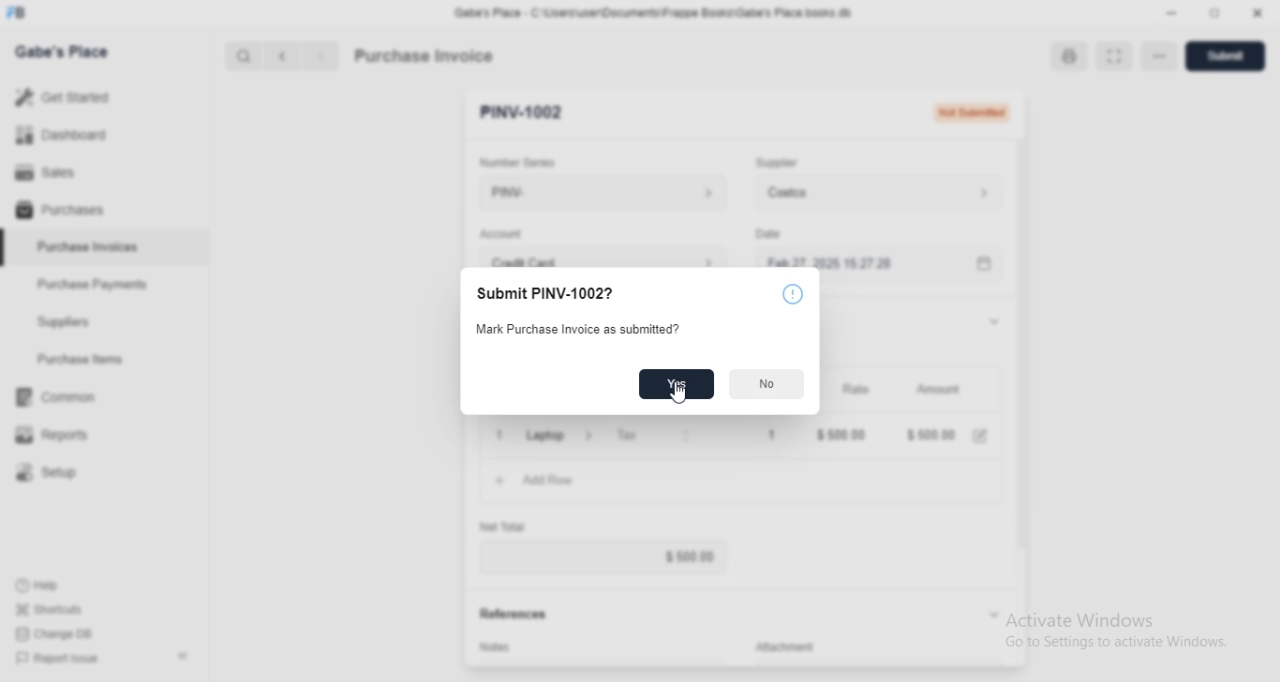 The height and width of the screenshot is (682, 1280). I want to click on No, so click(767, 384).